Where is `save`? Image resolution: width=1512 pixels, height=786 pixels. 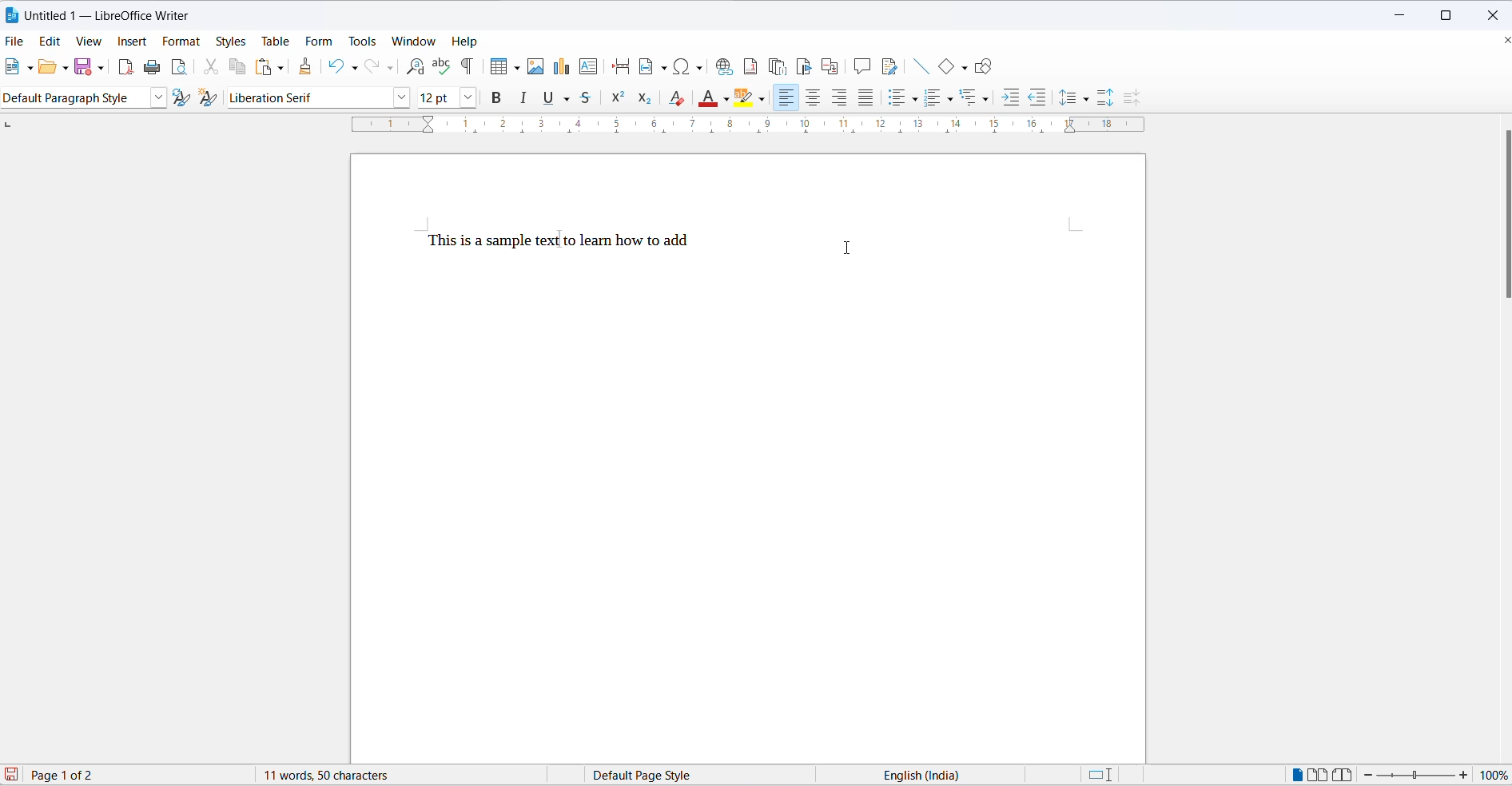
save is located at coordinates (82, 67).